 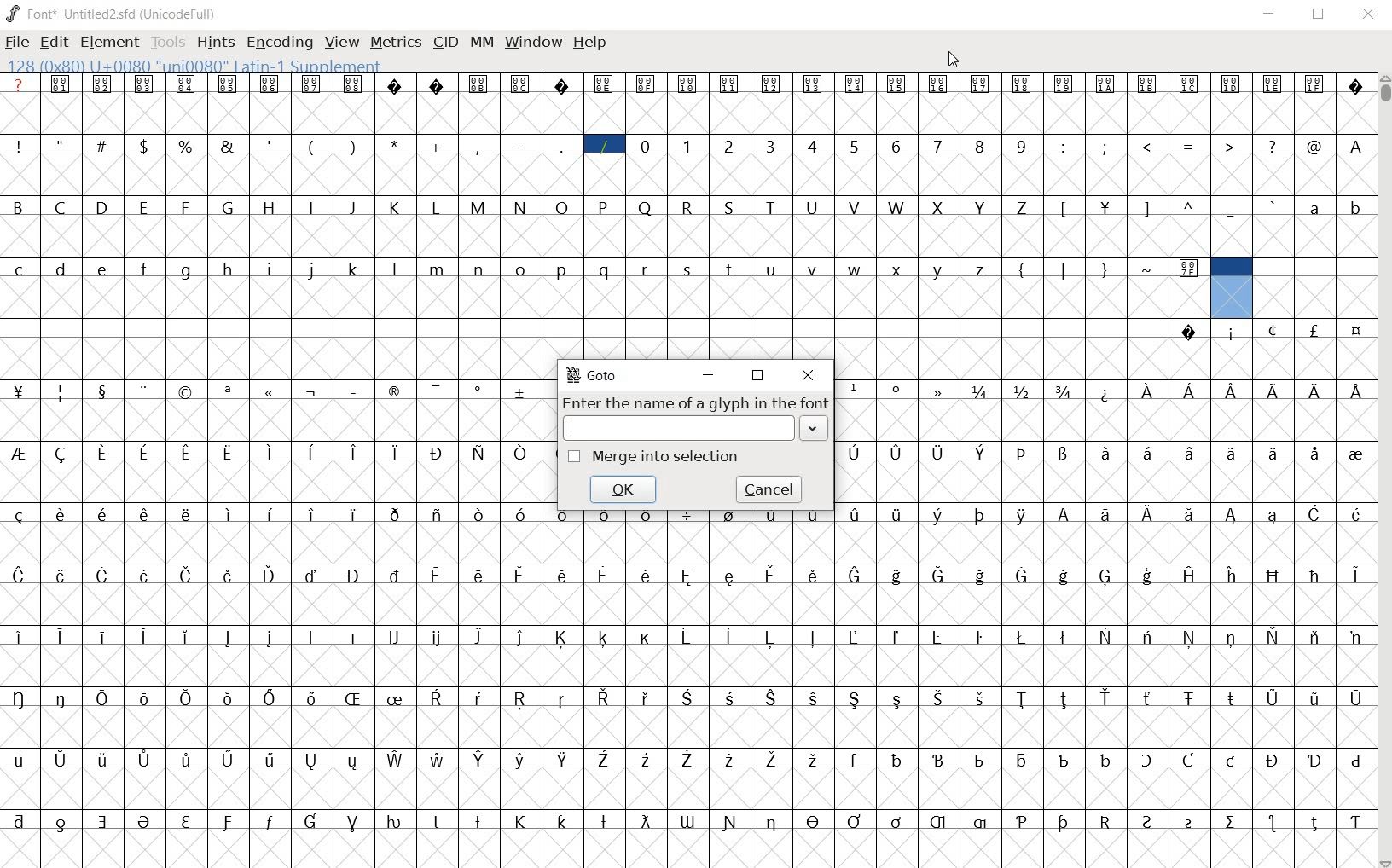 I want to click on Symbol, so click(x=229, y=575).